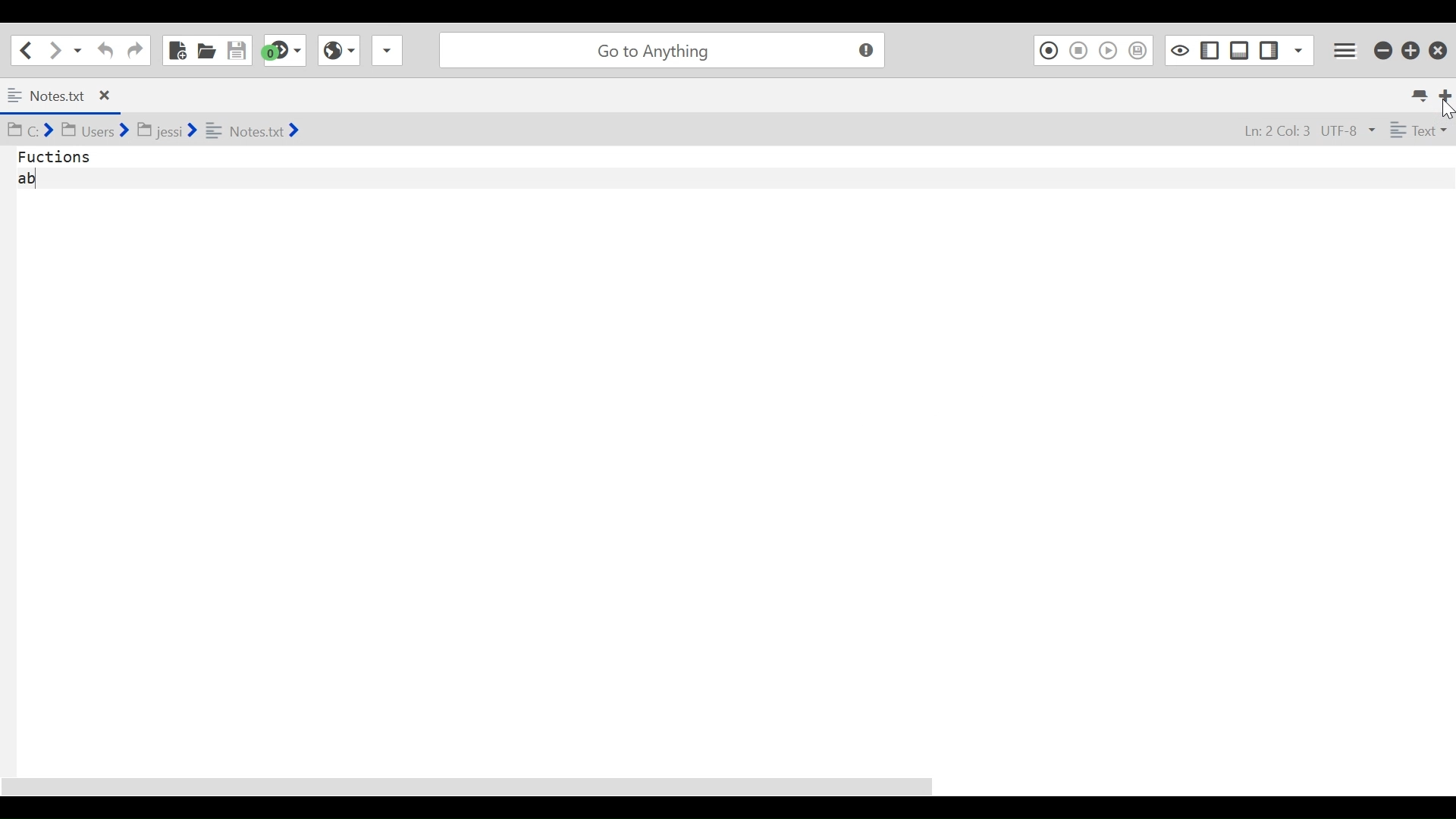 The image size is (1456, 819). Describe the element at coordinates (176, 48) in the screenshot. I see `New File` at that location.